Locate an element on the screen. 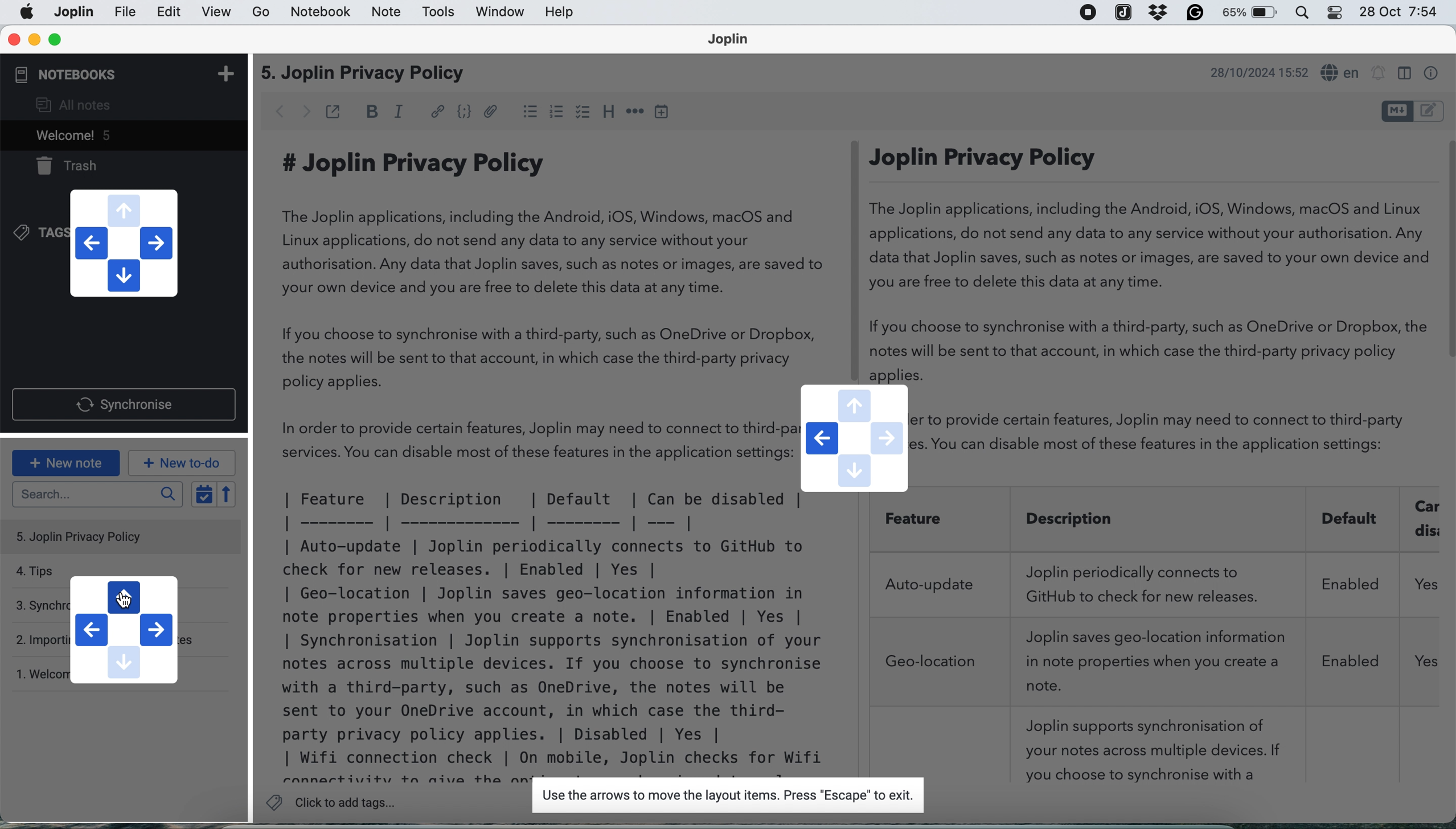 Image resolution: width=1456 pixels, height=829 pixels. navigation buttons is located at coordinates (126, 631).